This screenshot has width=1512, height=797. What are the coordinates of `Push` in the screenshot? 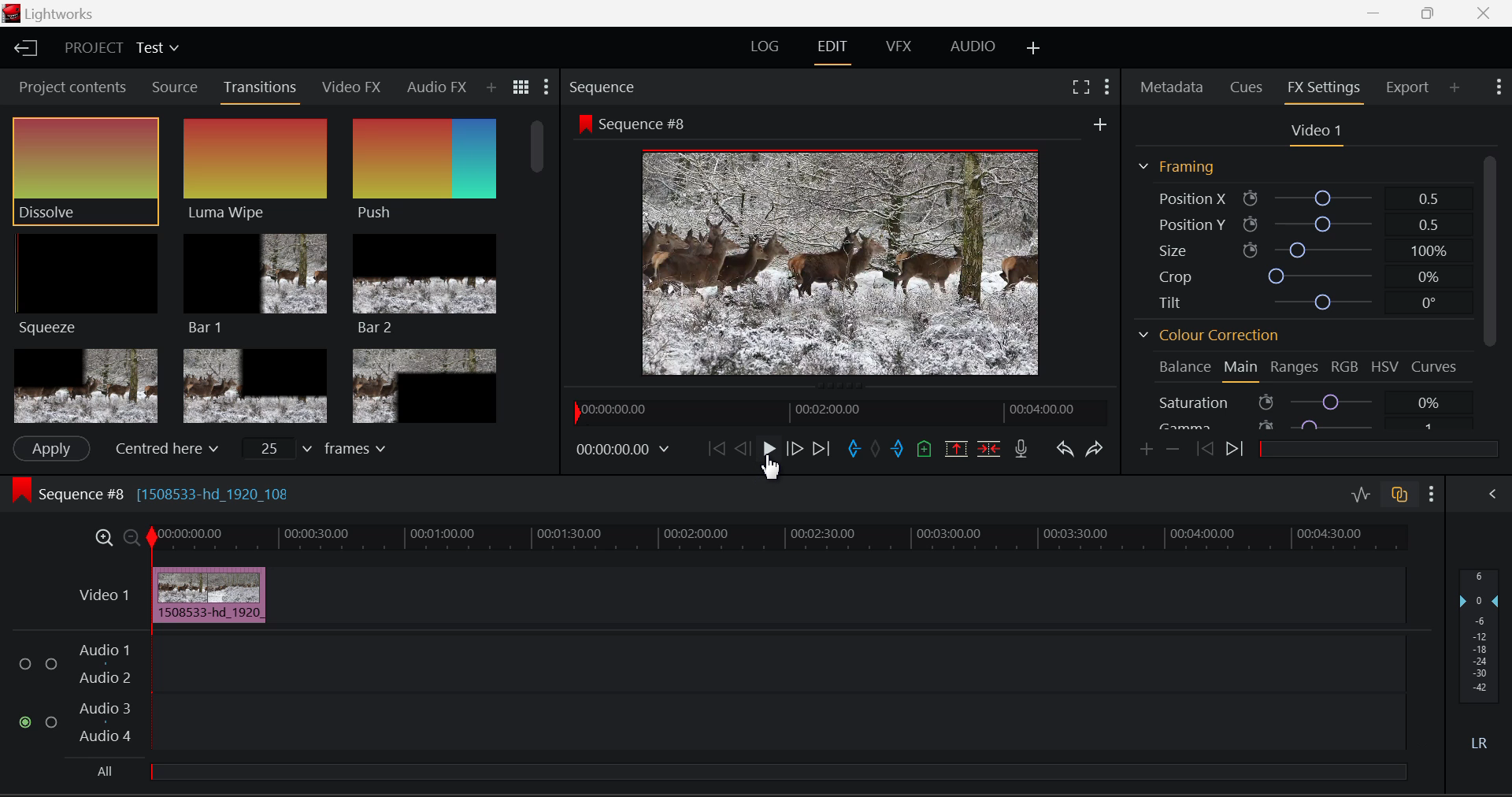 It's located at (424, 172).